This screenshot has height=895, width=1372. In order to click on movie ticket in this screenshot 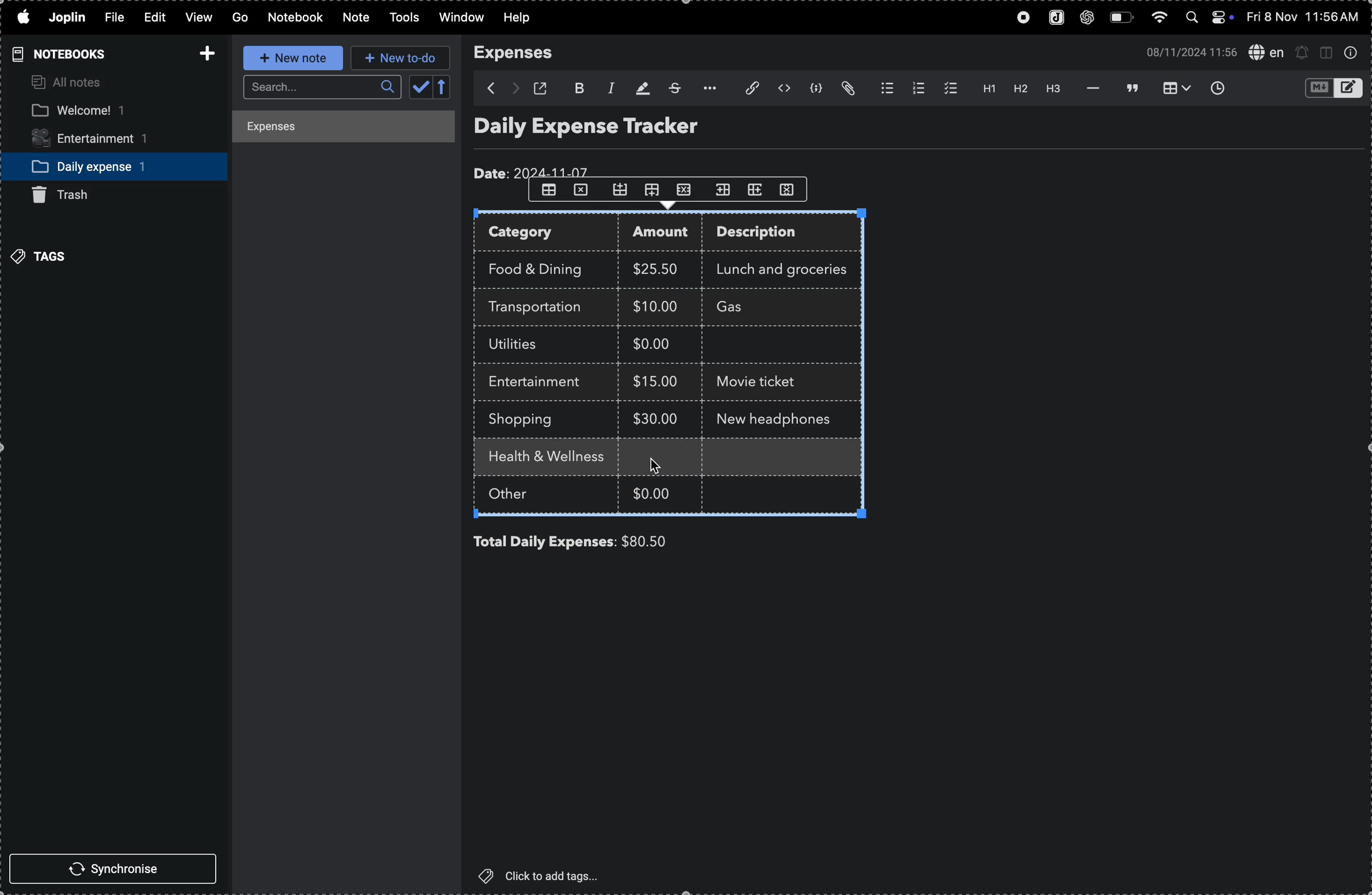, I will do `click(761, 383)`.